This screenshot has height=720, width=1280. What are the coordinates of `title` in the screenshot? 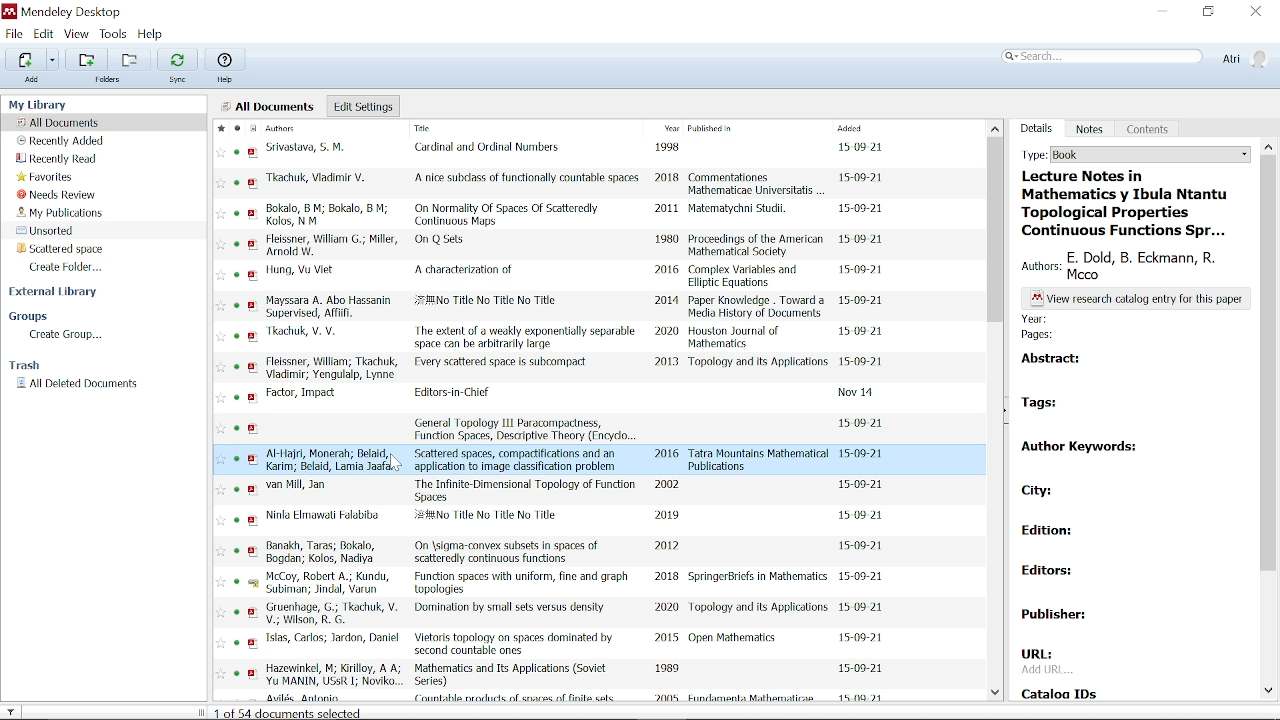 It's located at (527, 428).